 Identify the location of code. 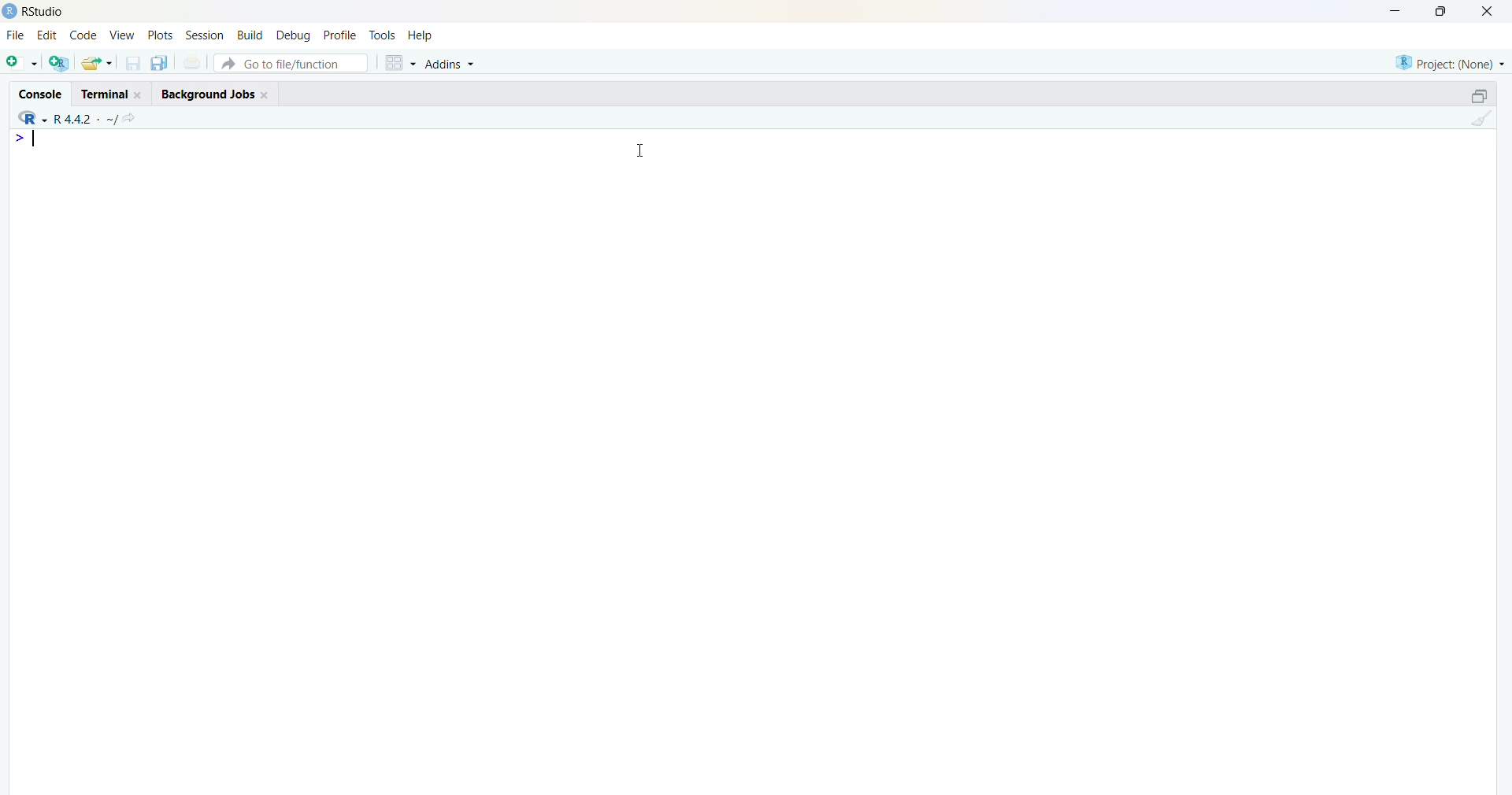
(83, 35).